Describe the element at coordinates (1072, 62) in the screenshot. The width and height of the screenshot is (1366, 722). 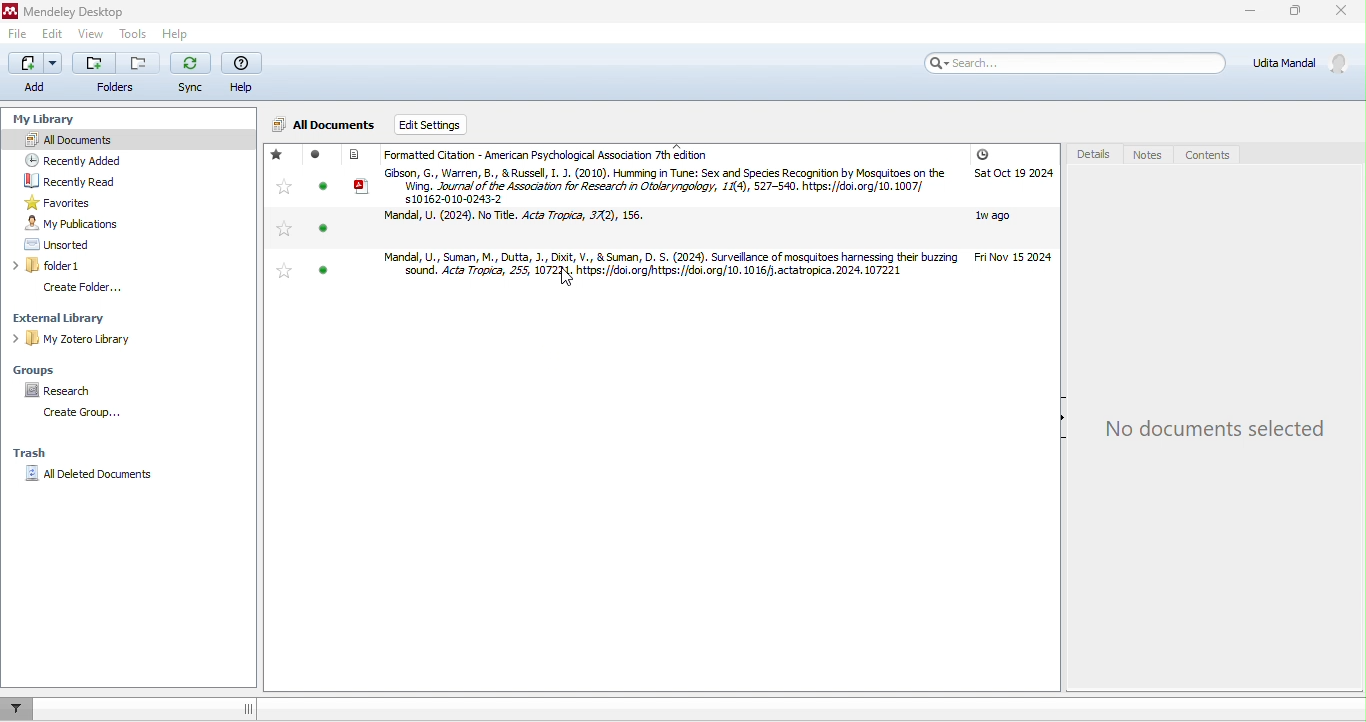
I see `search bar` at that location.